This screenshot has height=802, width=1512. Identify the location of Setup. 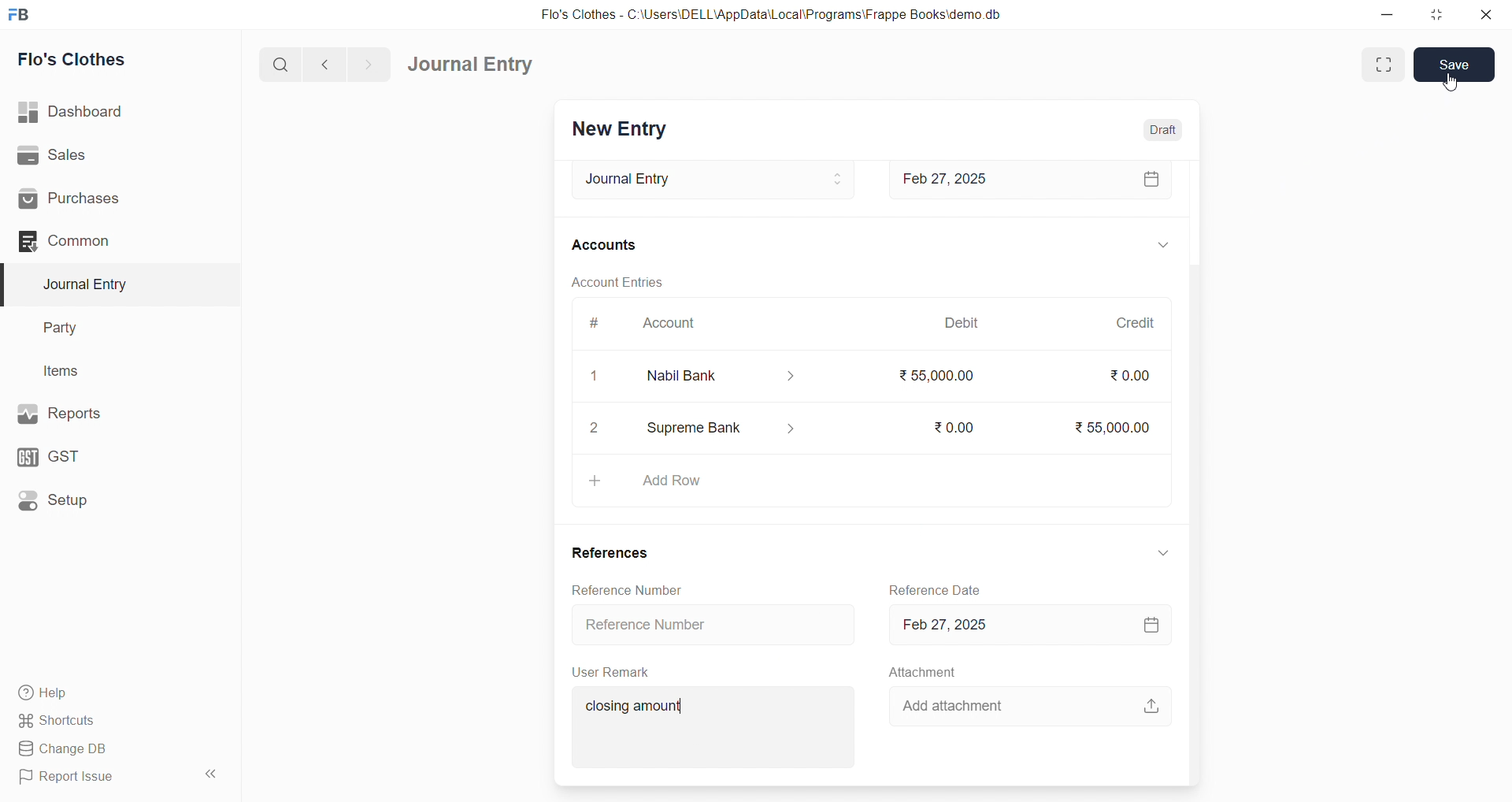
(91, 503).